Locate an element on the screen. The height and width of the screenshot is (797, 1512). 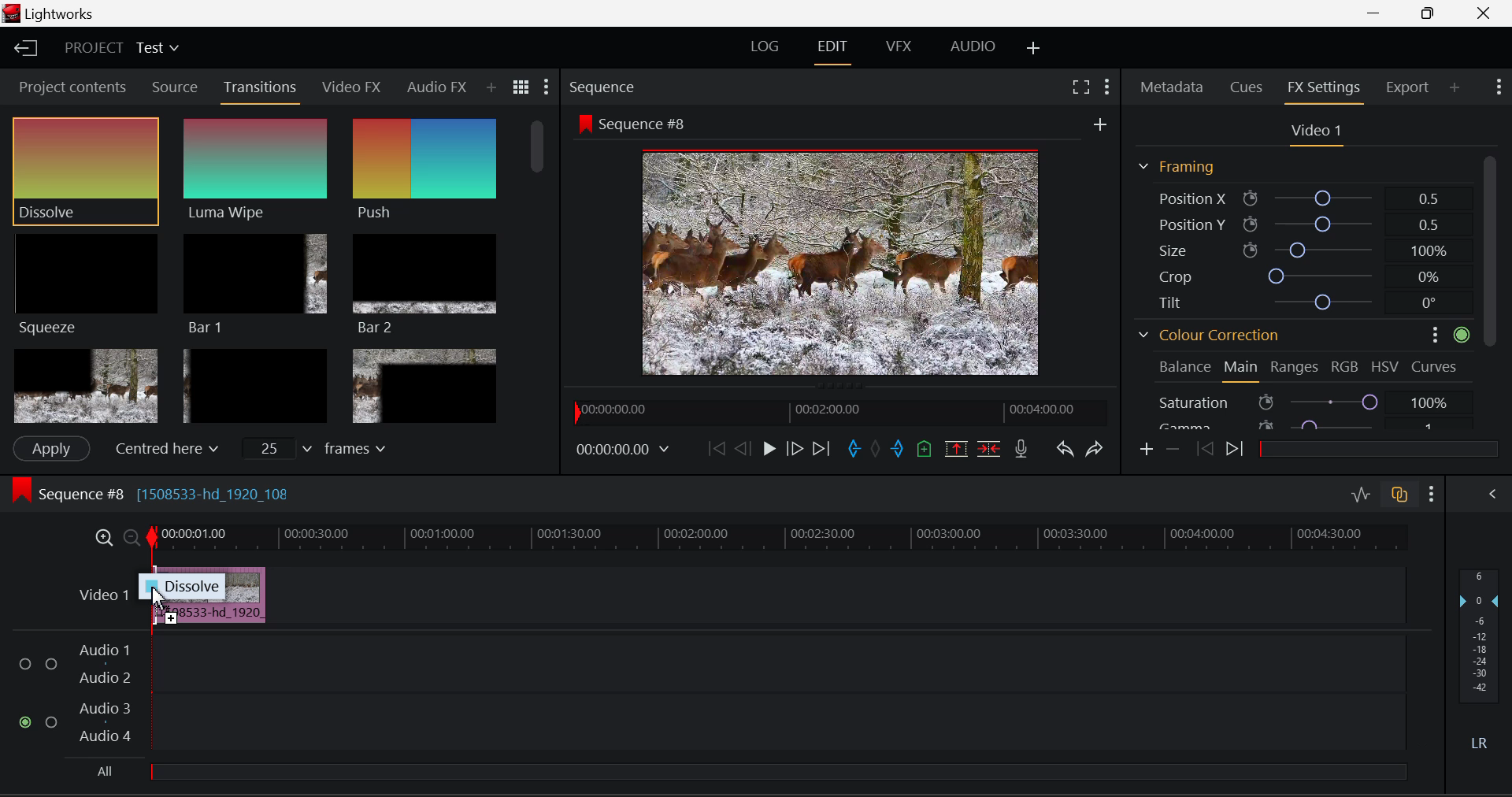
Sequence Preview Section is located at coordinates (606, 88).